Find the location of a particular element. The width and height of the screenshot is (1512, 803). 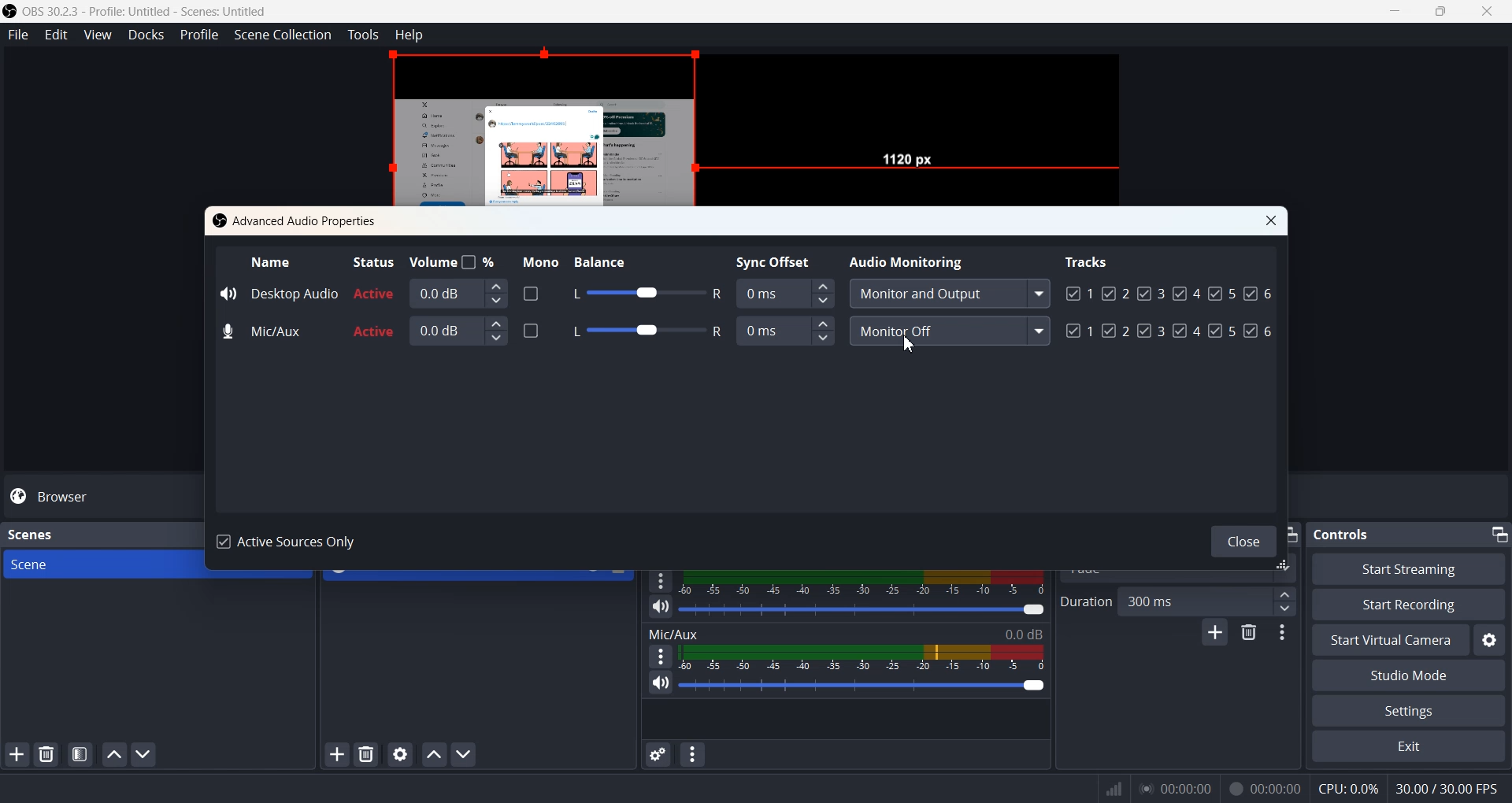

00:00:00 is located at coordinates (1176, 787).